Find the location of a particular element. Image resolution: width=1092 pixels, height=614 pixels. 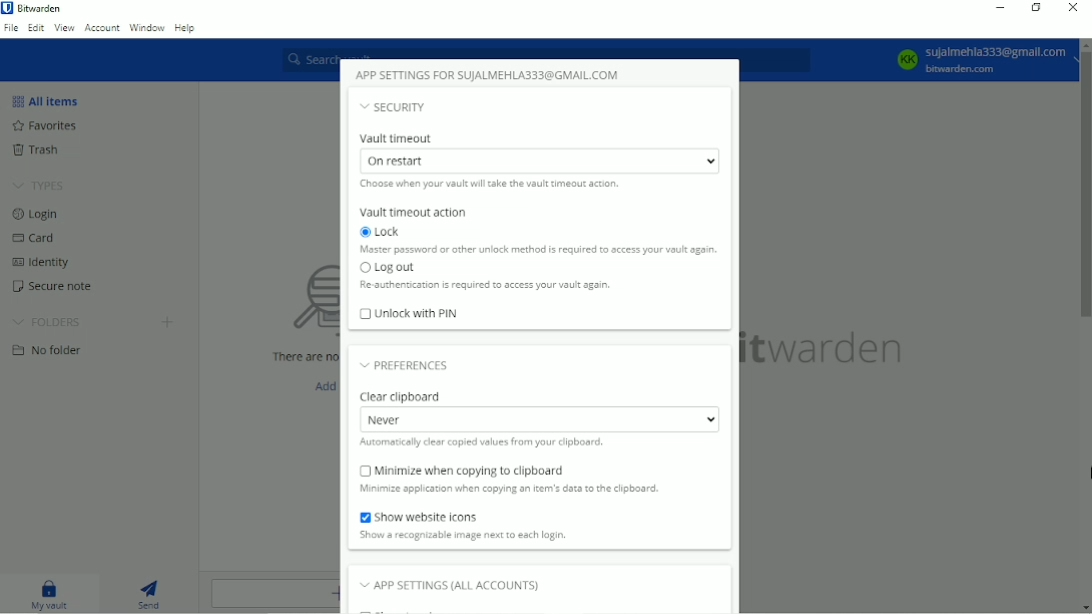

App settings for SUJALMEHLA333@GMAIL.COM is located at coordinates (489, 72).